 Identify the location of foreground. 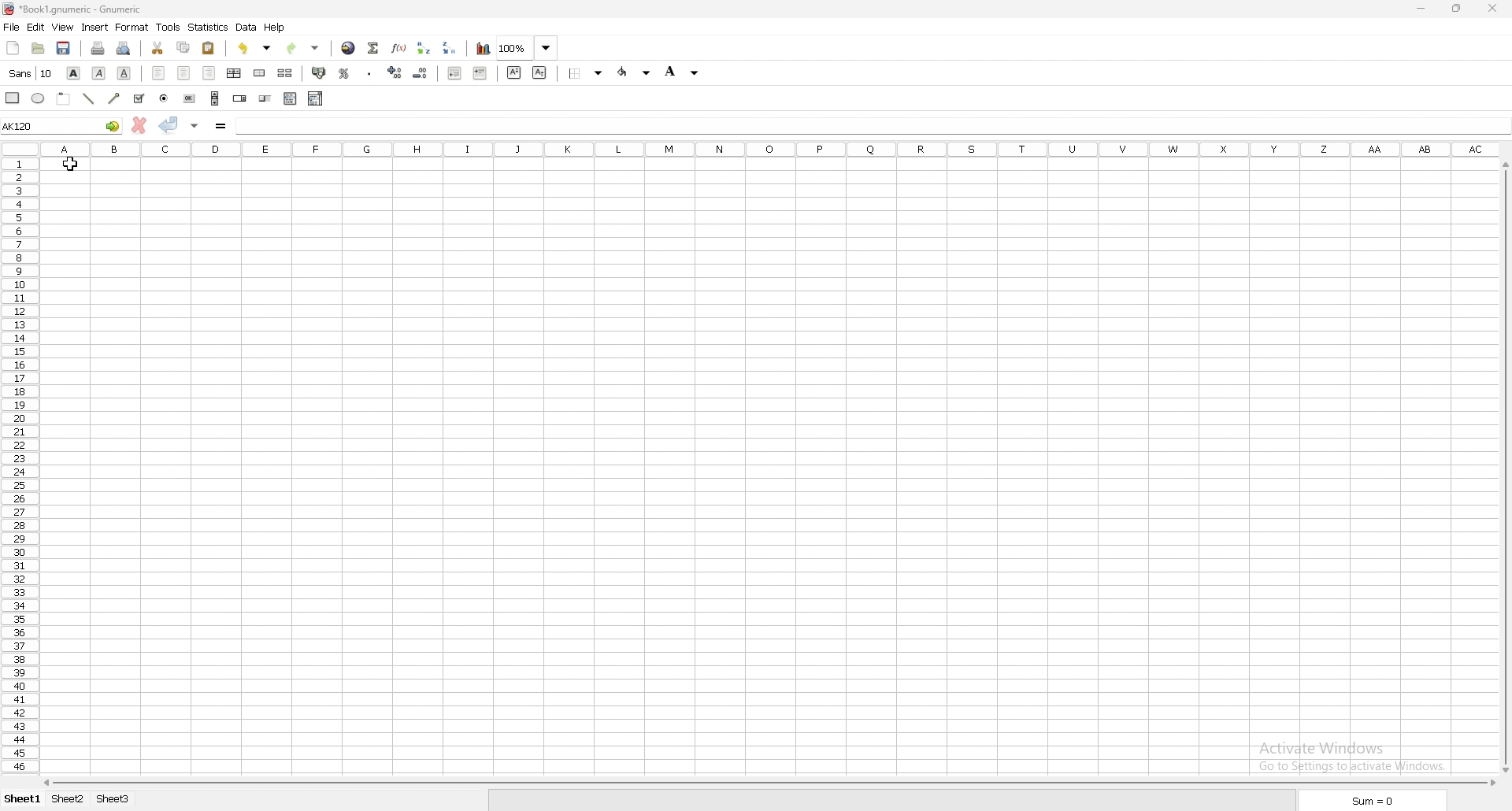
(636, 72).